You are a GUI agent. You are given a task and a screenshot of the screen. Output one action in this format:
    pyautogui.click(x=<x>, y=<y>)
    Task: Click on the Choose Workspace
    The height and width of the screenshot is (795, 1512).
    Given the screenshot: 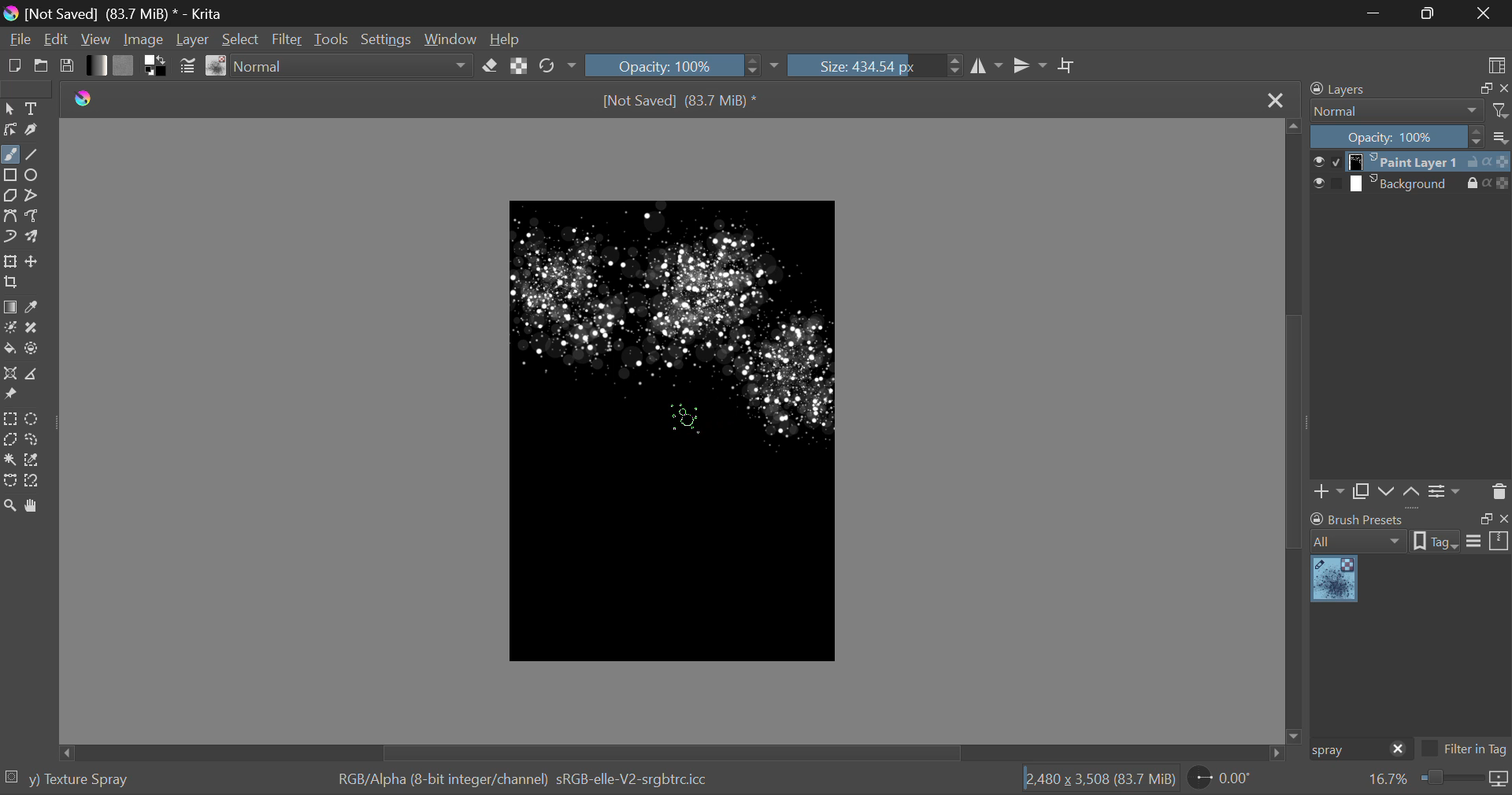 What is the action you would take?
    pyautogui.click(x=1496, y=65)
    